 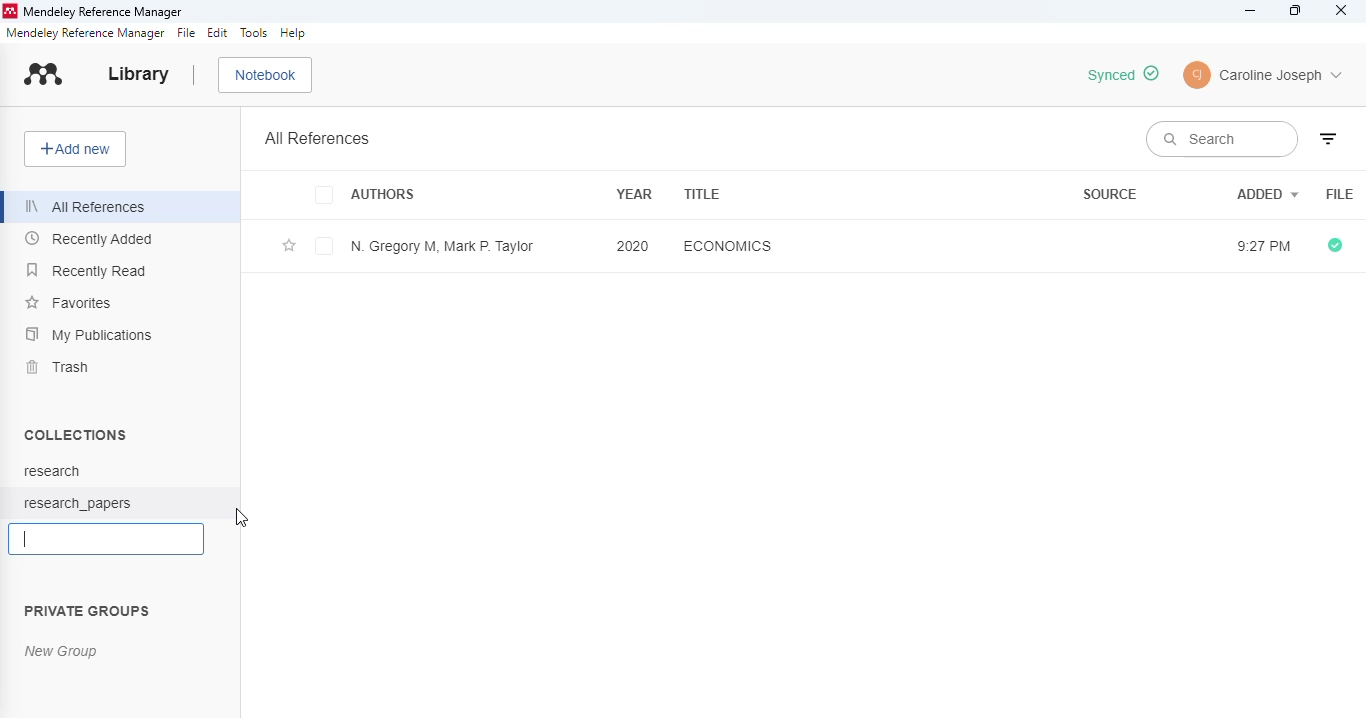 What do you see at coordinates (75, 149) in the screenshot?
I see `add new` at bounding box center [75, 149].